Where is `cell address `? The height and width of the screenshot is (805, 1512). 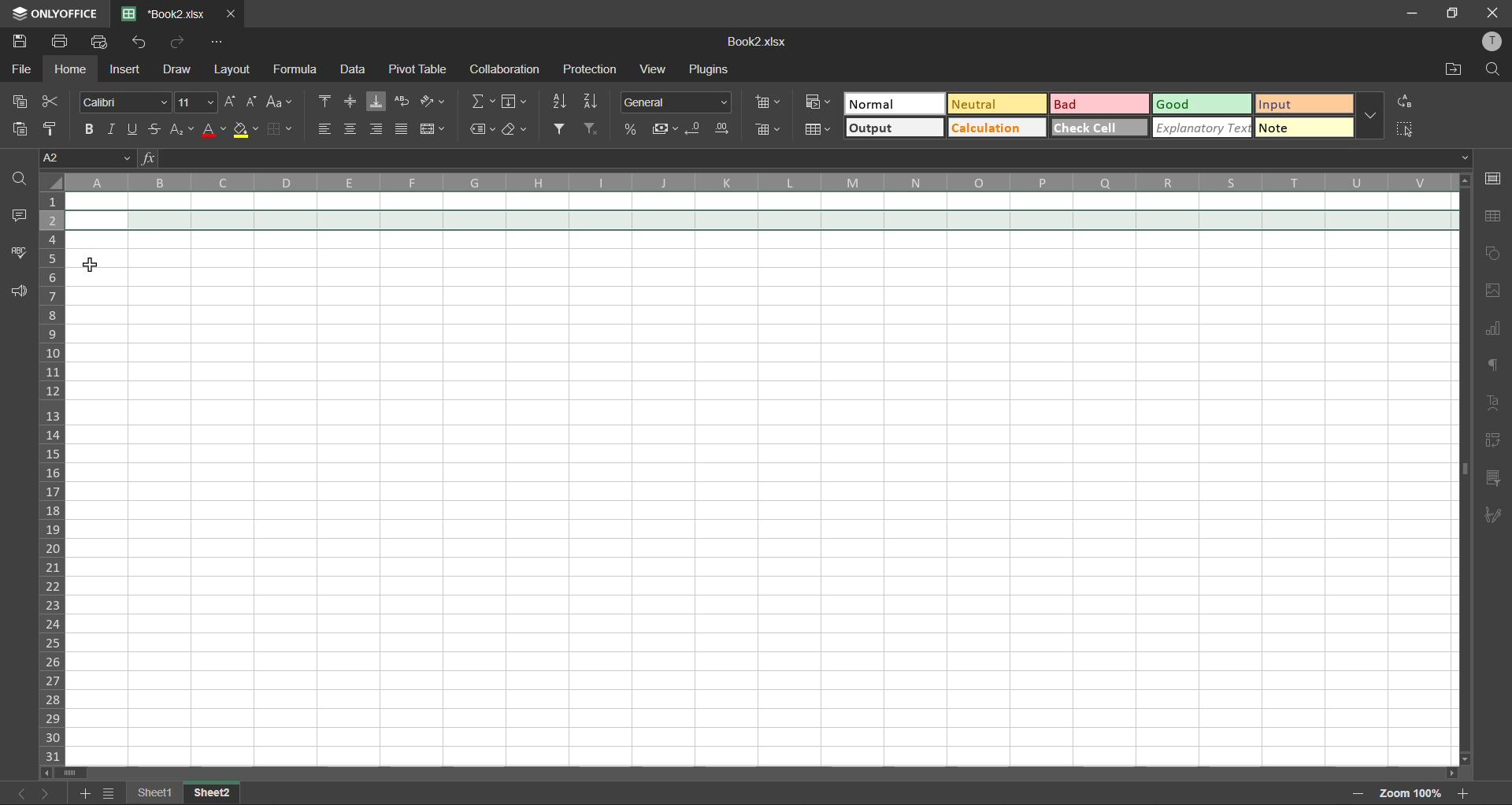
cell address  is located at coordinates (88, 159).